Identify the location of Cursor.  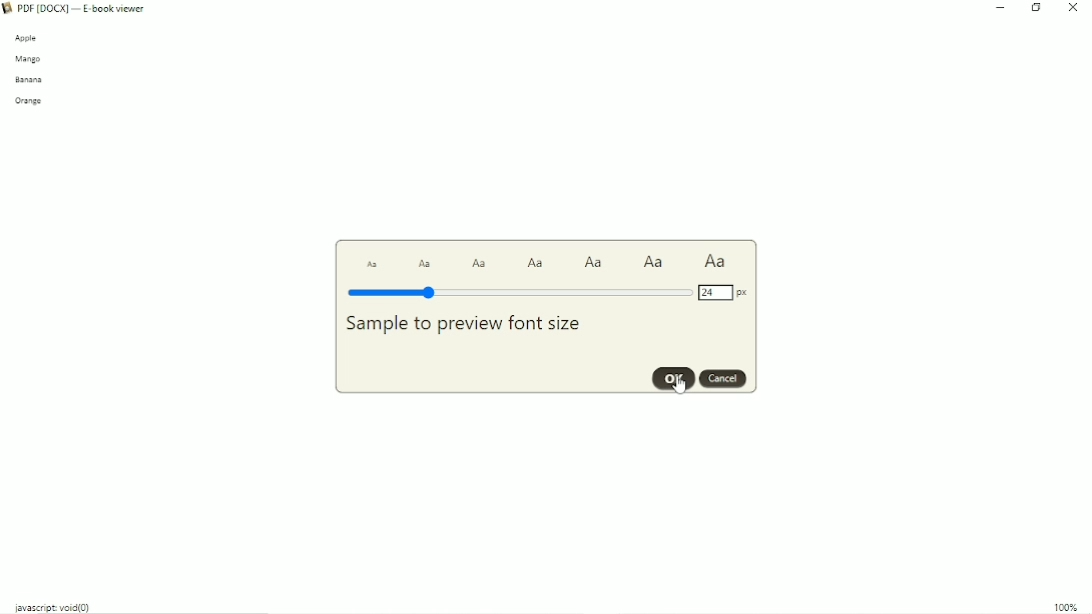
(678, 383).